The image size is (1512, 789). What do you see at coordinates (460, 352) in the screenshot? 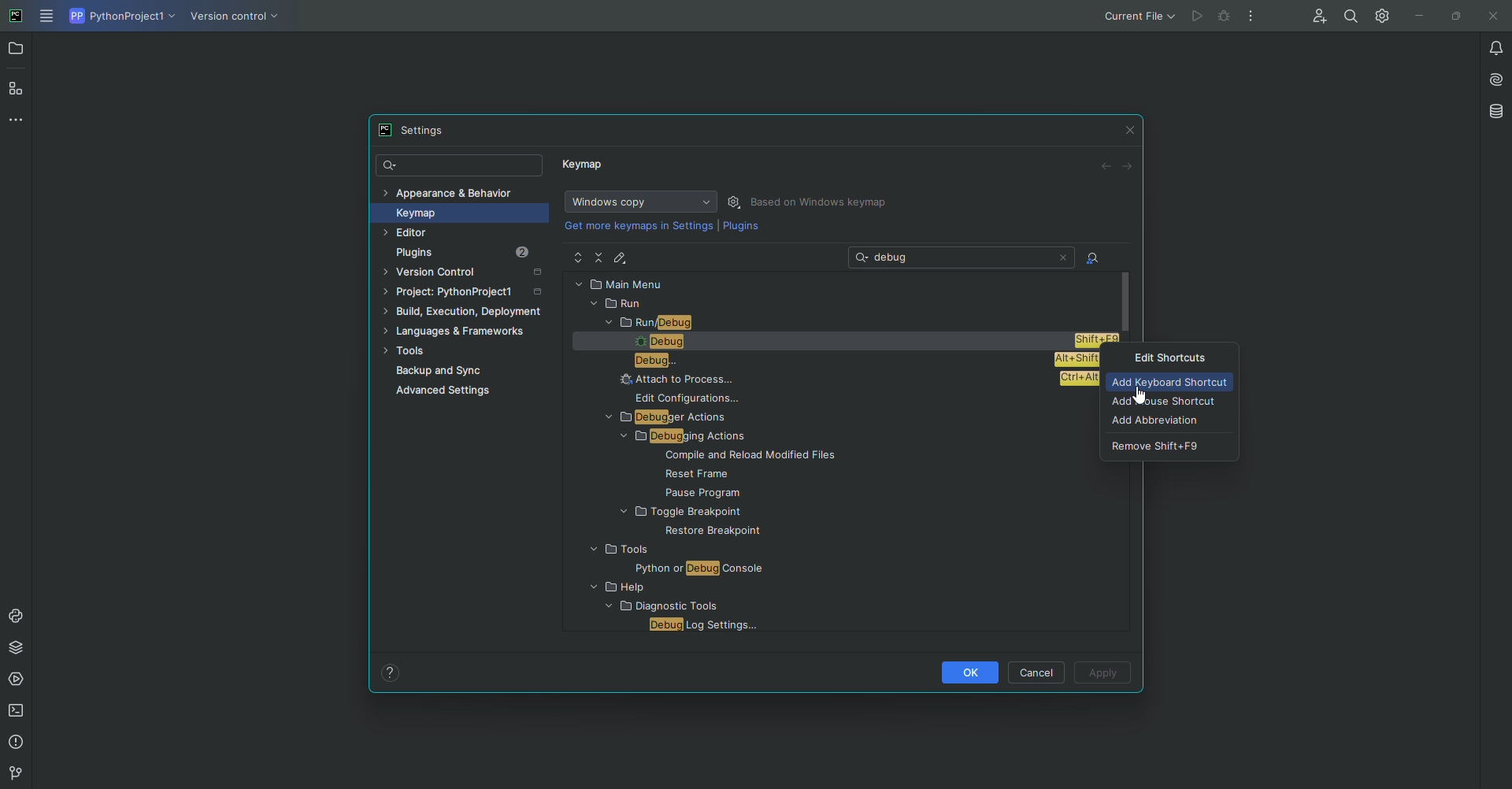
I see `Tools` at bounding box center [460, 352].